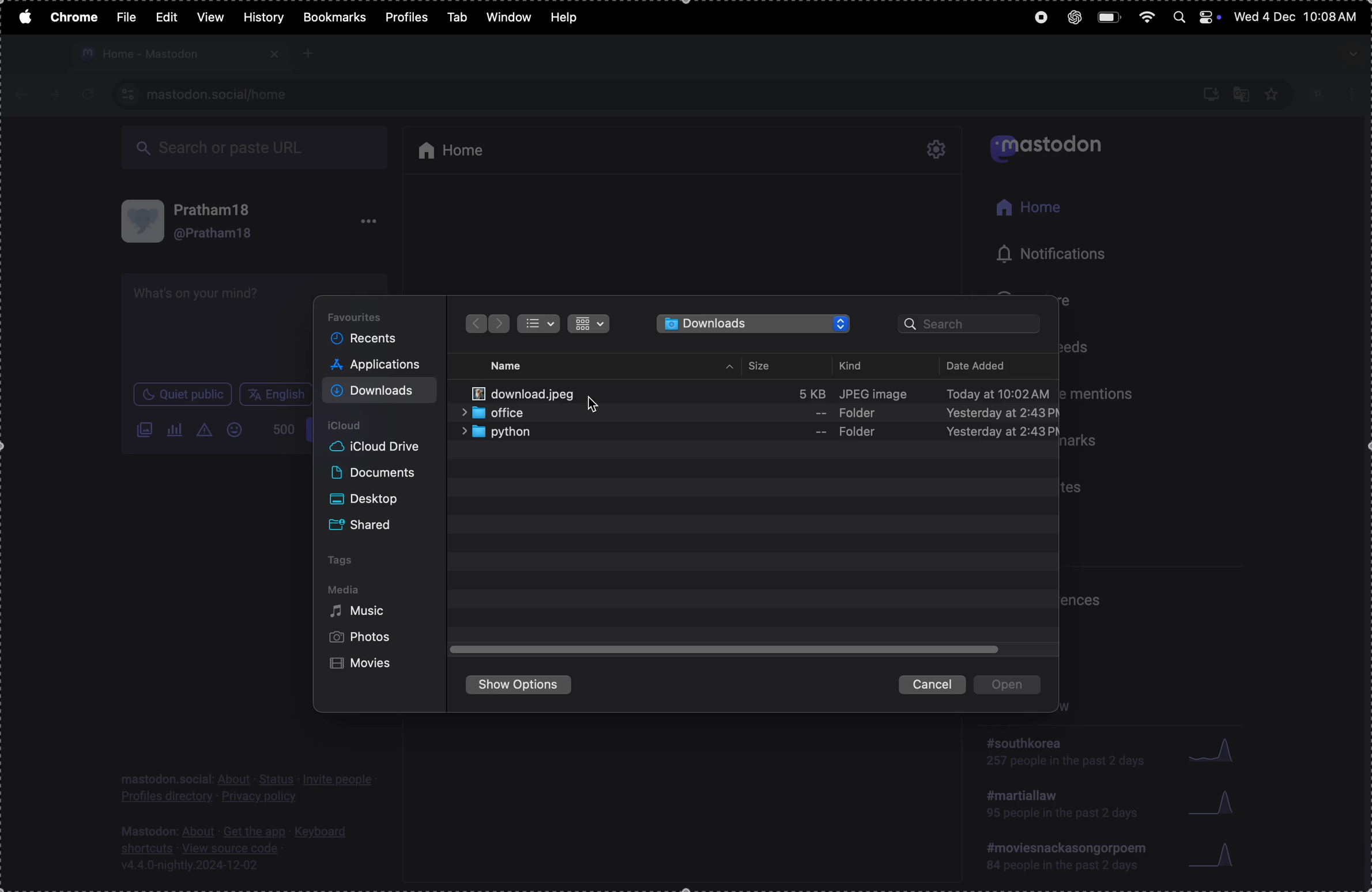 The image size is (1372, 892). Describe the element at coordinates (309, 53) in the screenshot. I see `add tab` at that location.